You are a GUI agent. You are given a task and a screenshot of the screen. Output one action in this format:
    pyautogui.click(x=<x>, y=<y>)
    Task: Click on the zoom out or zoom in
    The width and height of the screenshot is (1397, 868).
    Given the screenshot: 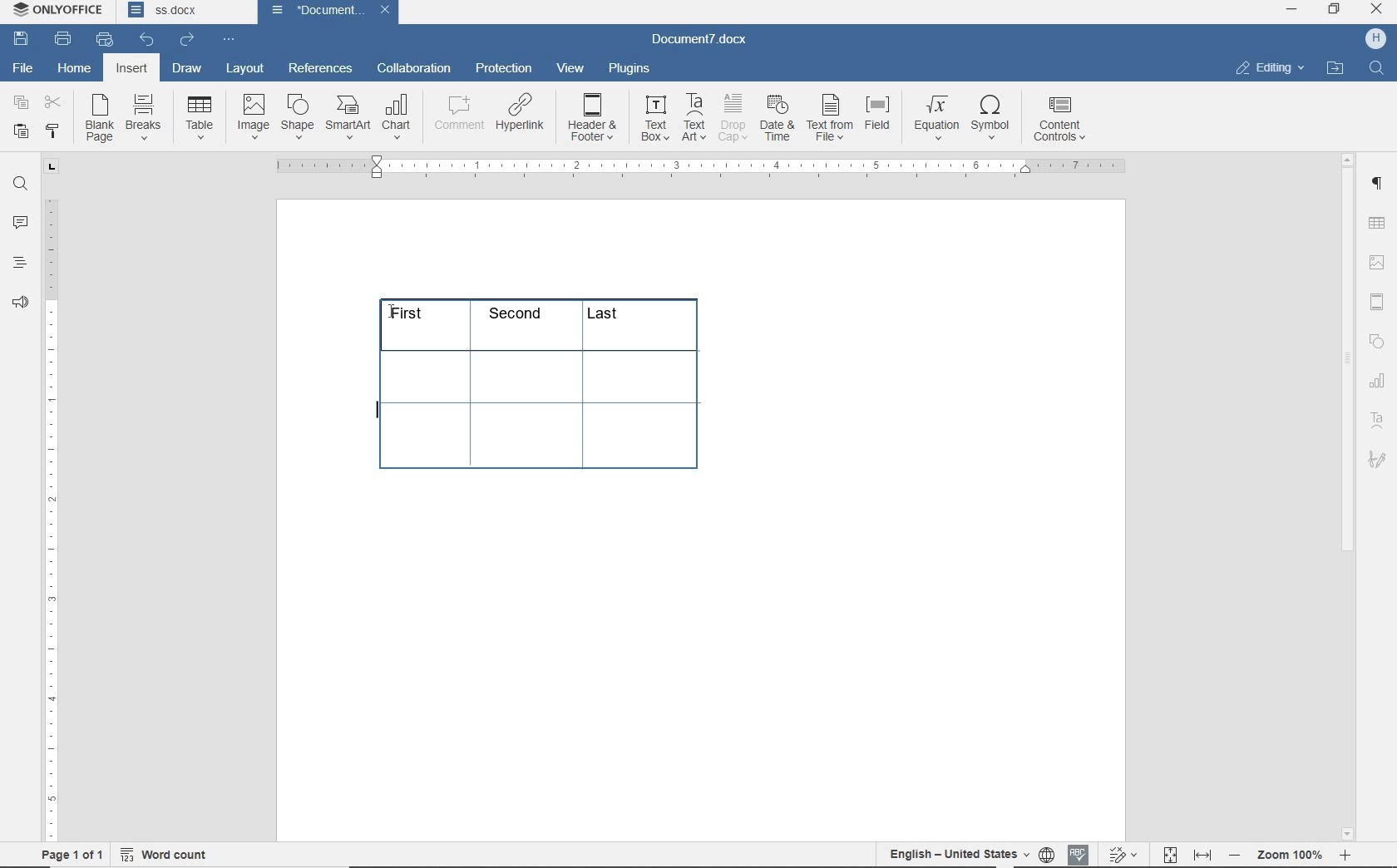 What is the action you would take?
    pyautogui.click(x=1294, y=852)
    